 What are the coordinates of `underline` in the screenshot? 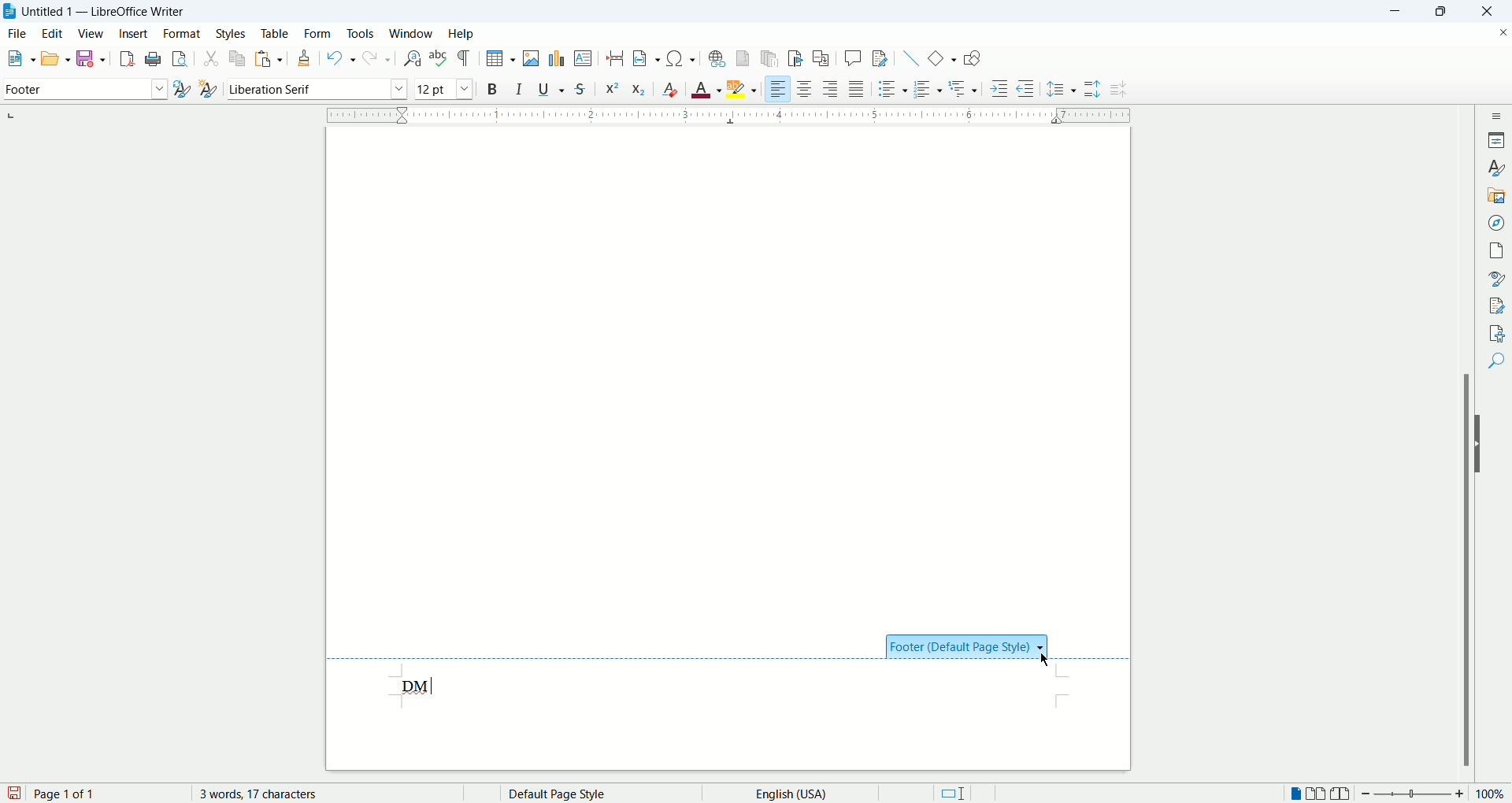 It's located at (554, 89).